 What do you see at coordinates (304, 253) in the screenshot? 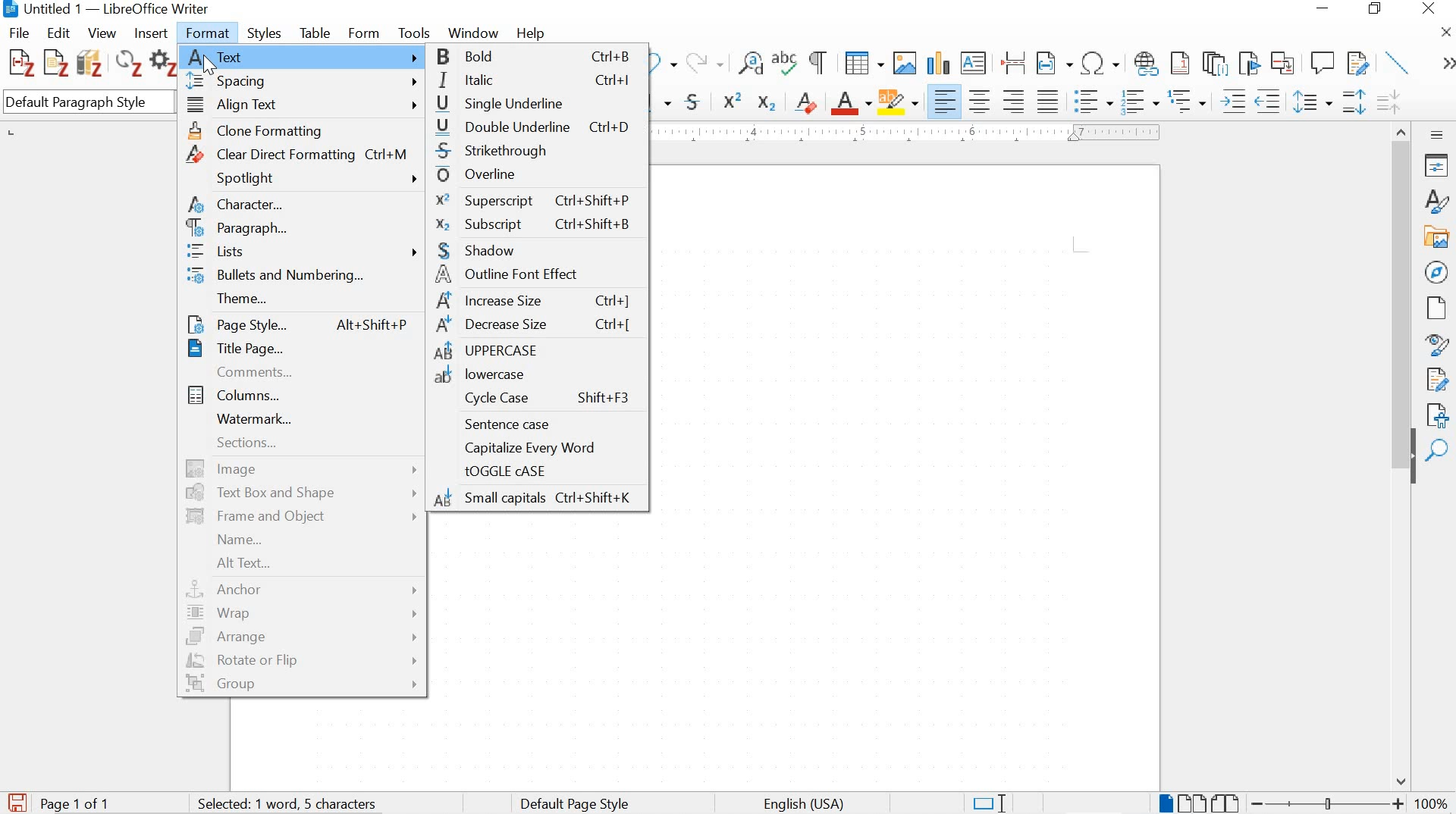
I see `lists` at bounding box center [304, 253].